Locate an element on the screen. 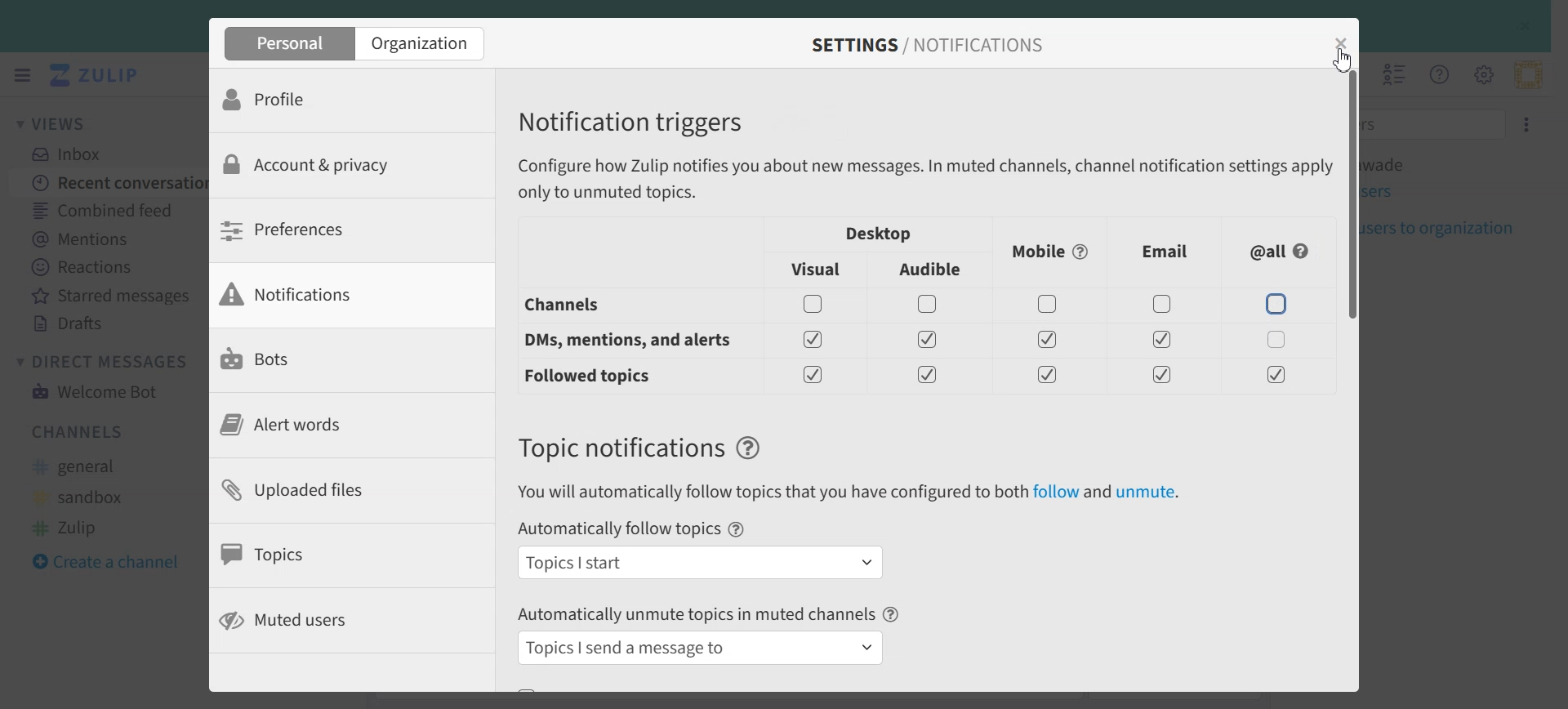 This screenshot has width=1568, height=709. Account & privacy is located at coordinates (332, 165).